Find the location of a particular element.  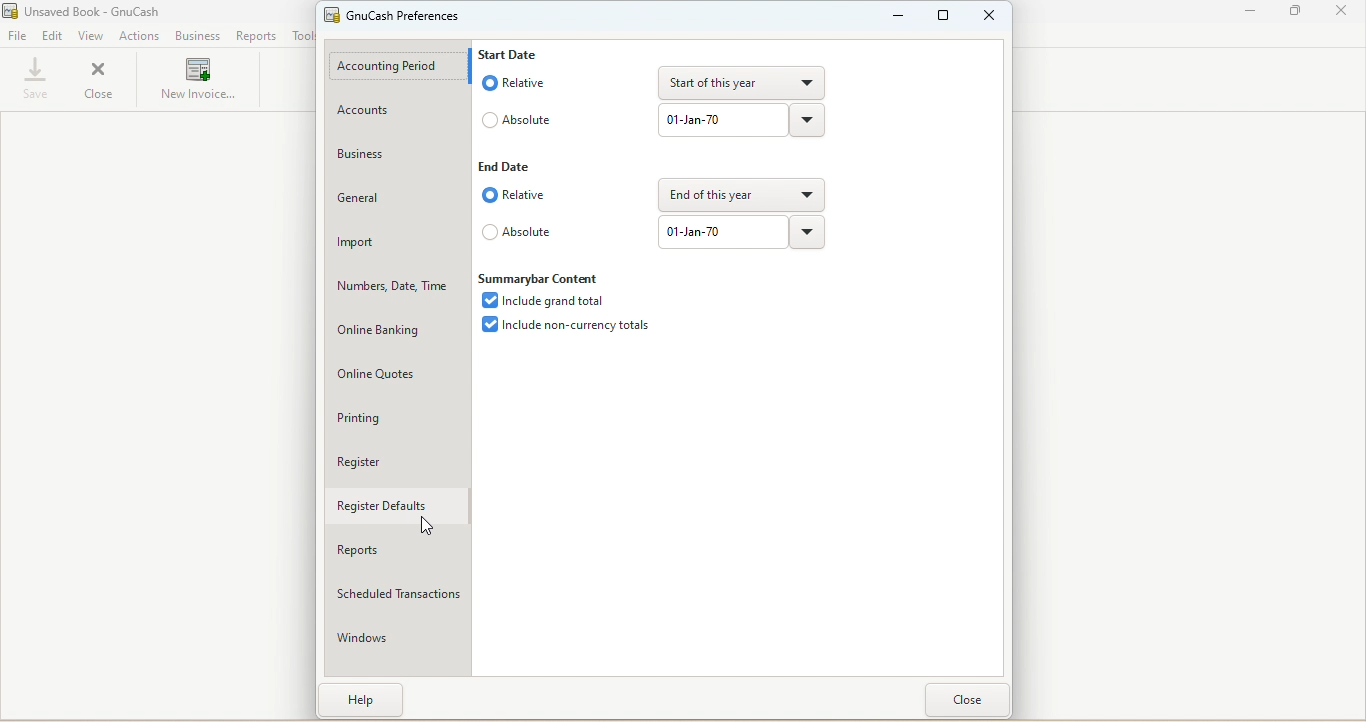

Windows is located at coordinates (397, 641).